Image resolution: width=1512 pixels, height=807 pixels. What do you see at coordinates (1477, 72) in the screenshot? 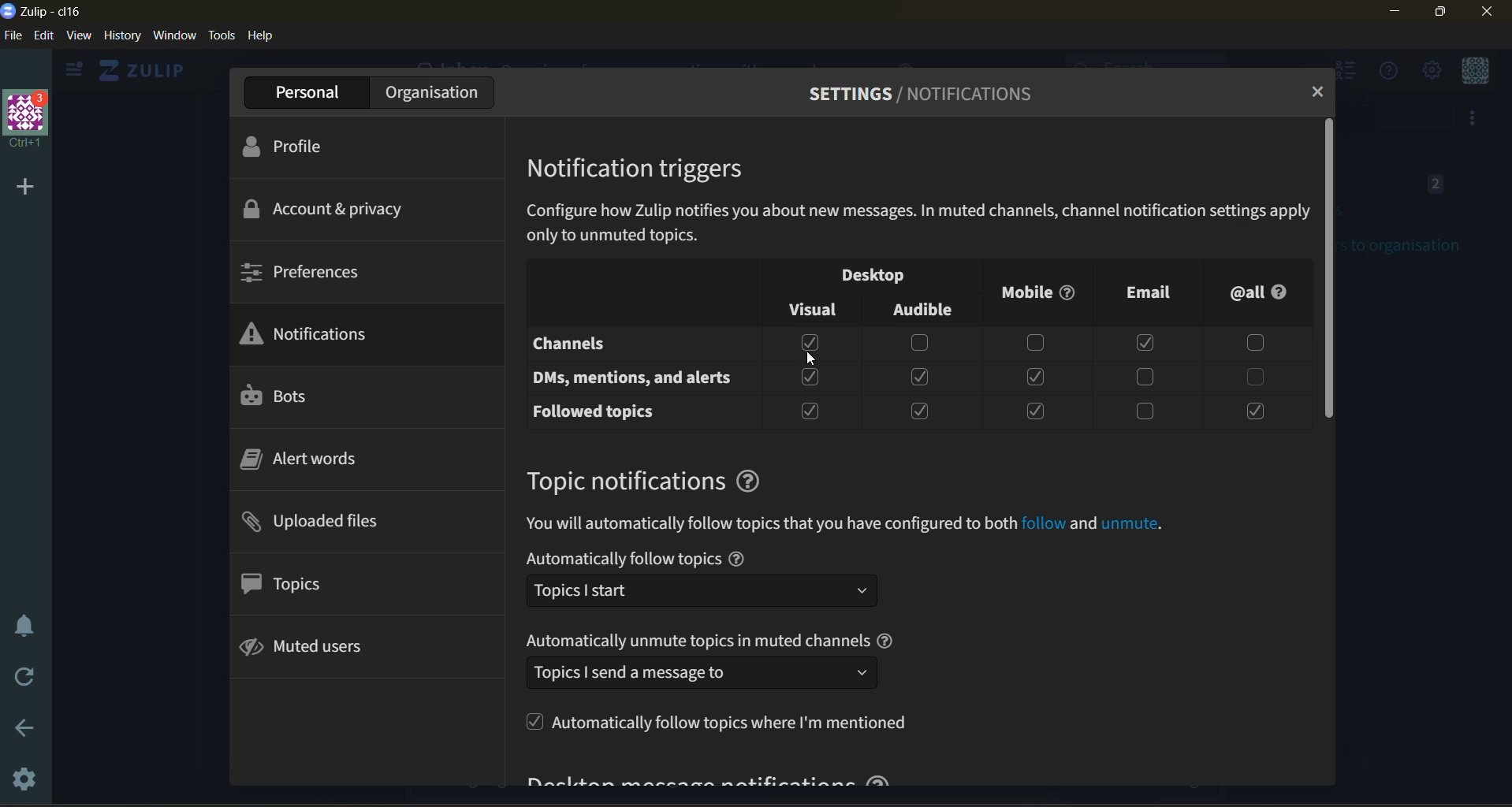
I see `personal menu` at bounding box center [1477, 72].